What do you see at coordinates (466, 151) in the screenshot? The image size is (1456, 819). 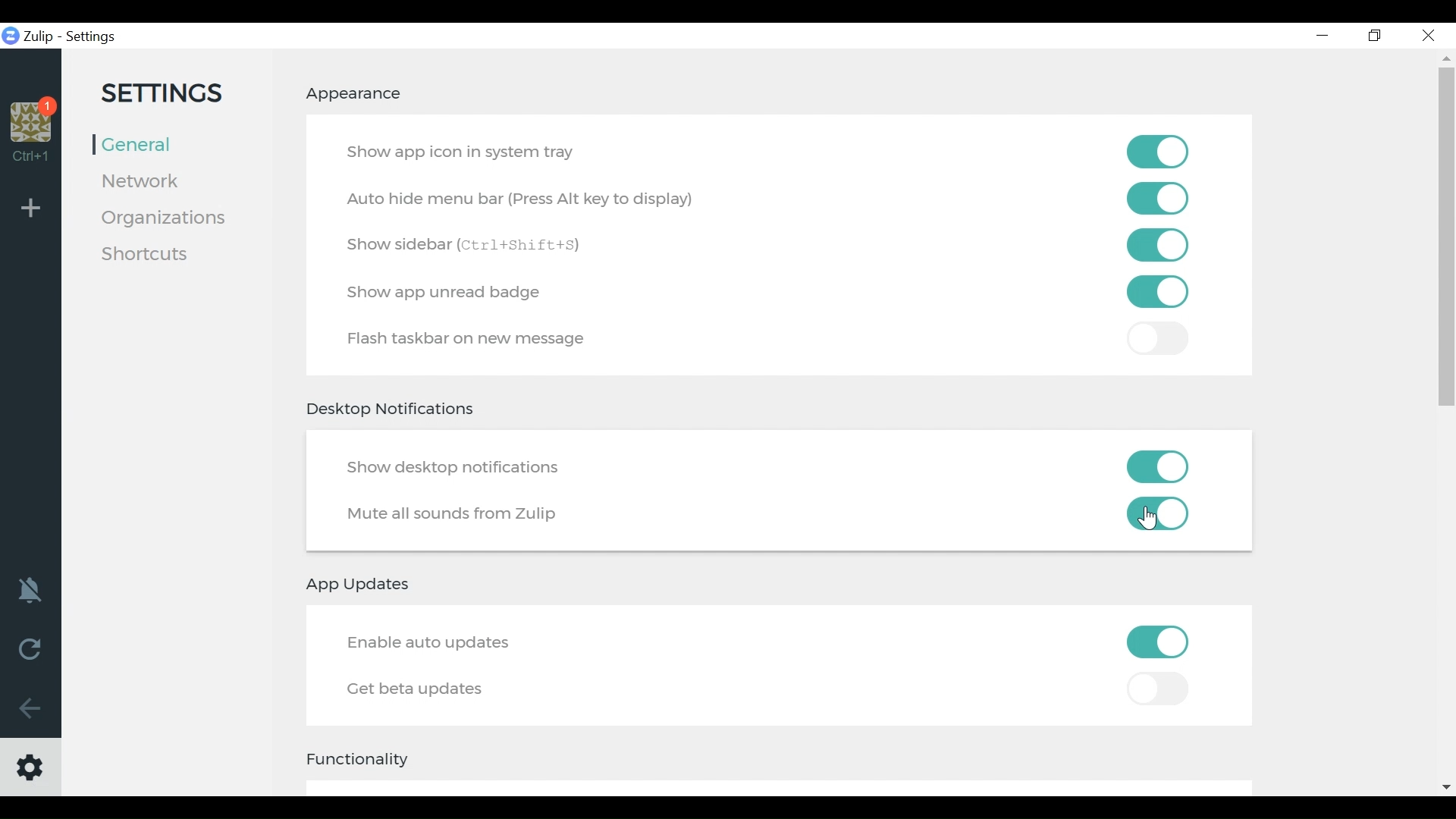 I see `Show app icon in system tray` at bounding box center [466, 151].